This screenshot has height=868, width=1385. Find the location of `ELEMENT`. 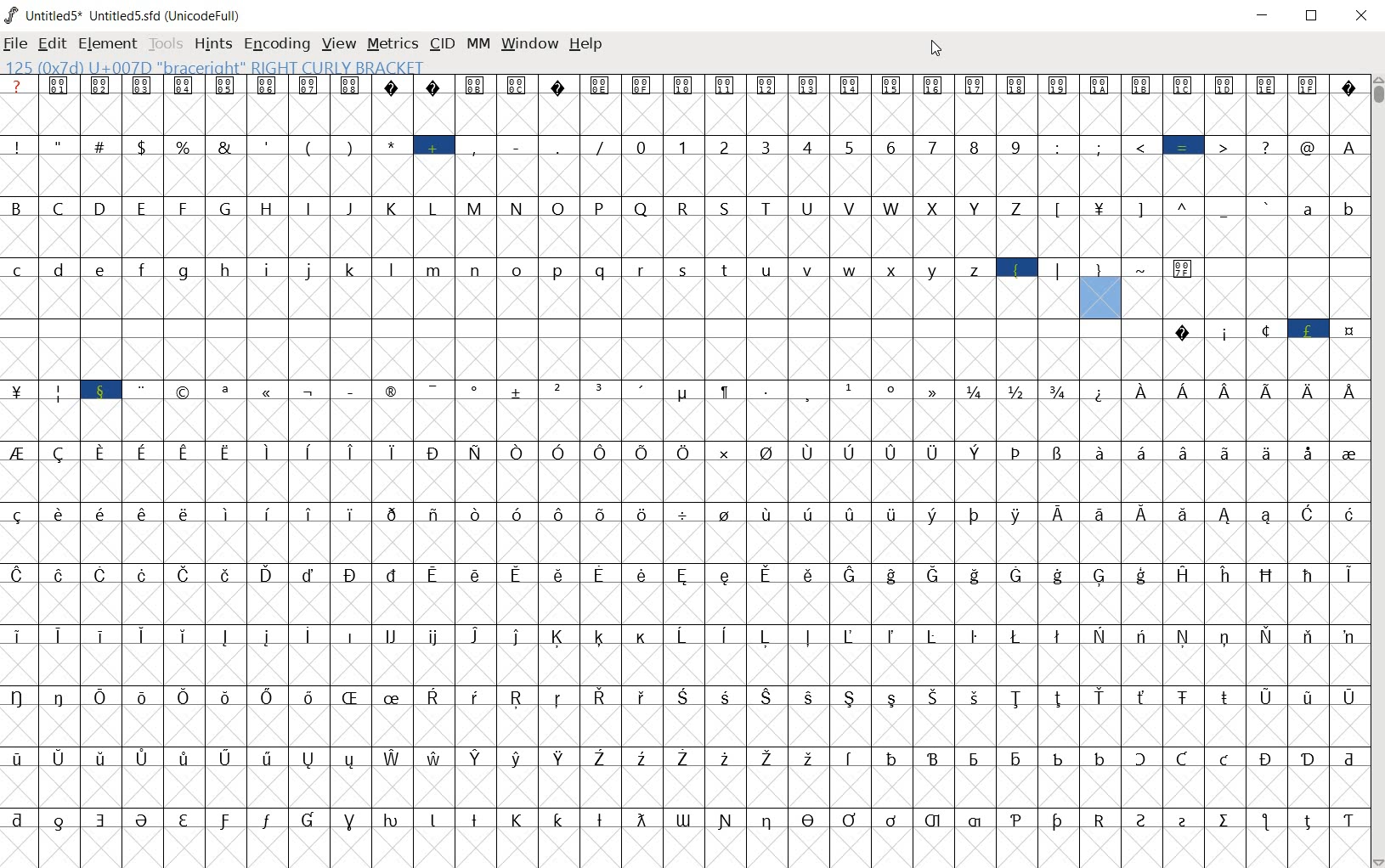

ELEMENT is located at coordinates (107, 44).